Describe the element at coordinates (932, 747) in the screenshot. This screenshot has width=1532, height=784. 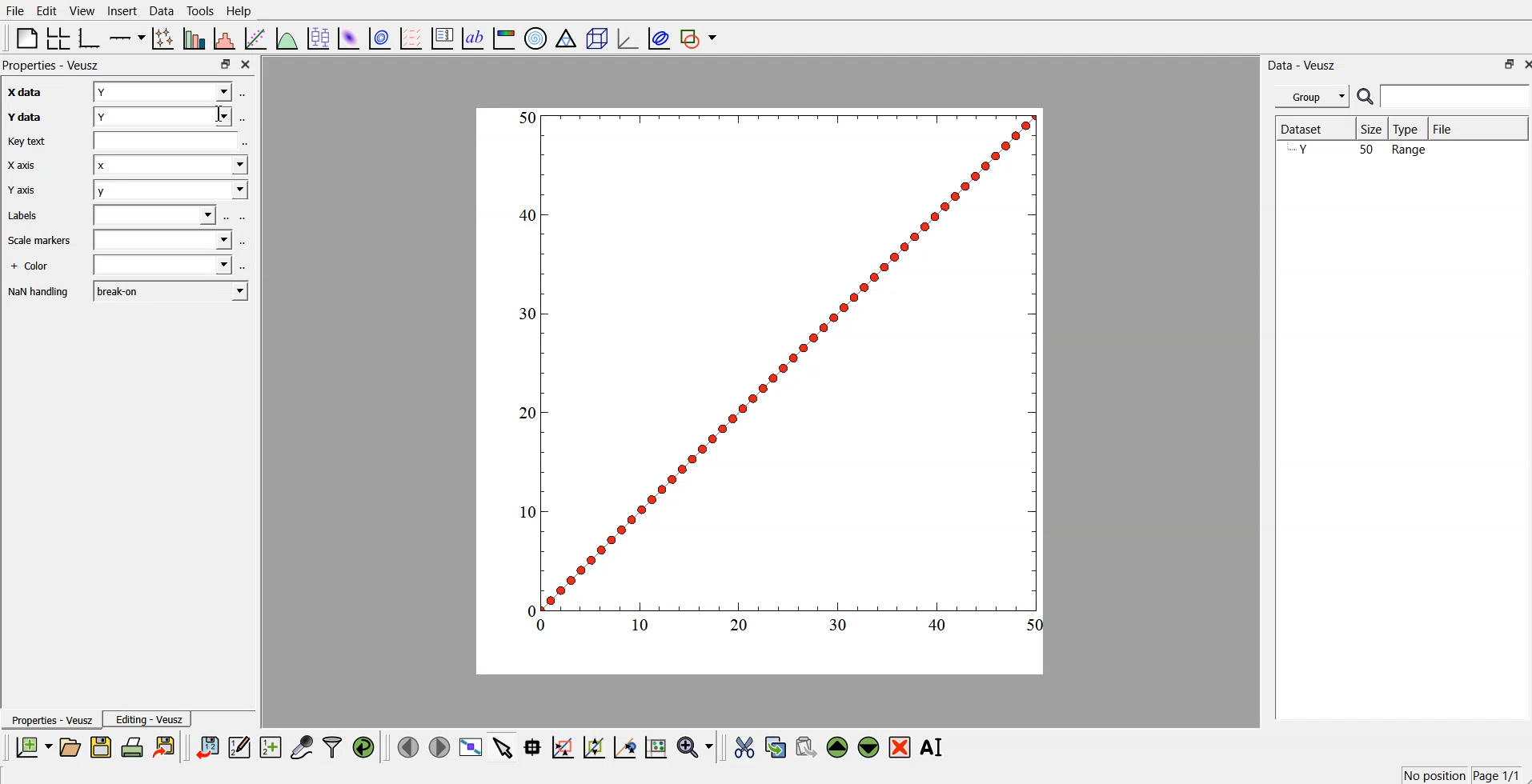
I see `rename the selected widgets` at that location.